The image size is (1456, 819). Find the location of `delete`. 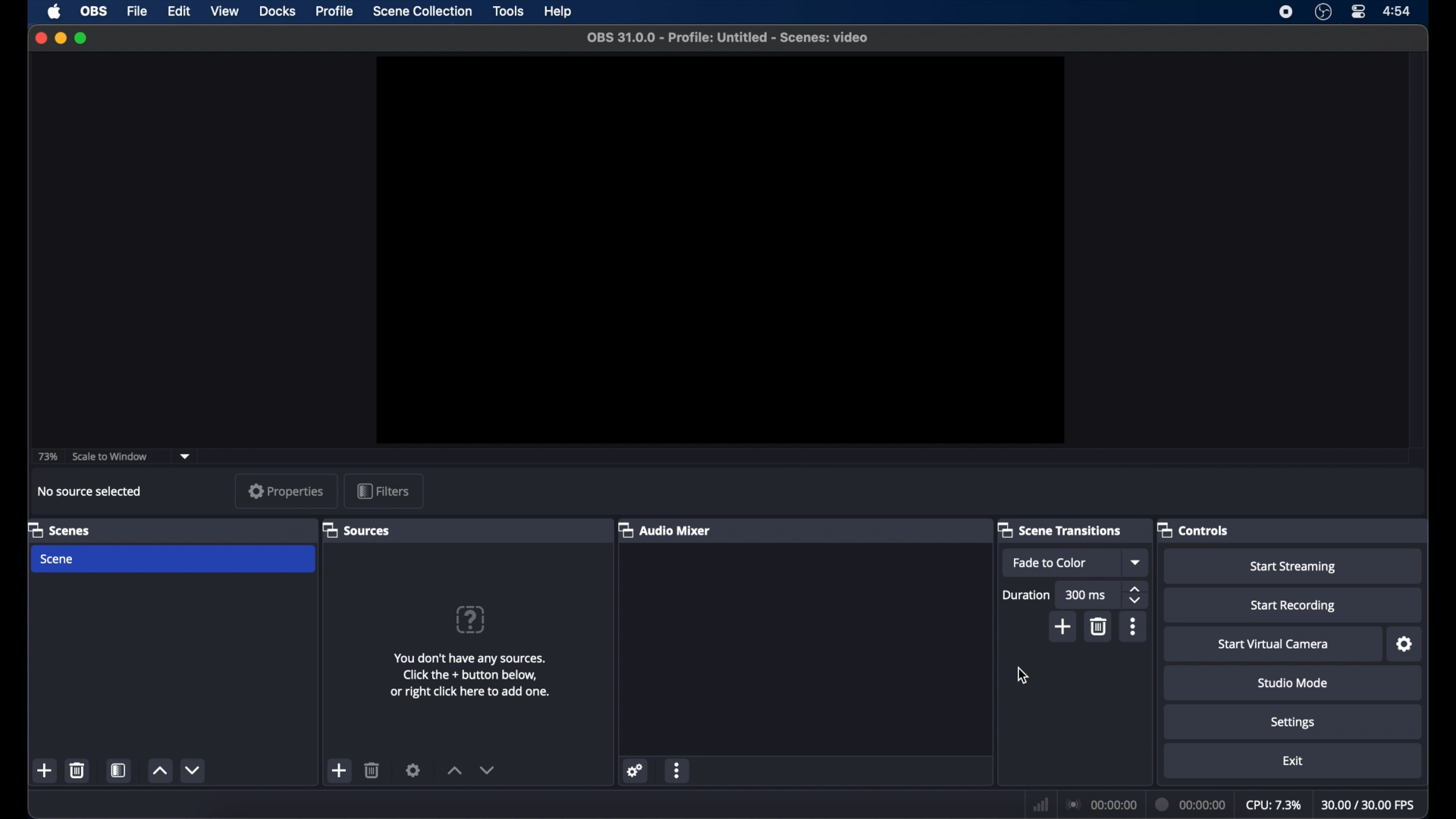

delete is located at coordinates (1100, 626).